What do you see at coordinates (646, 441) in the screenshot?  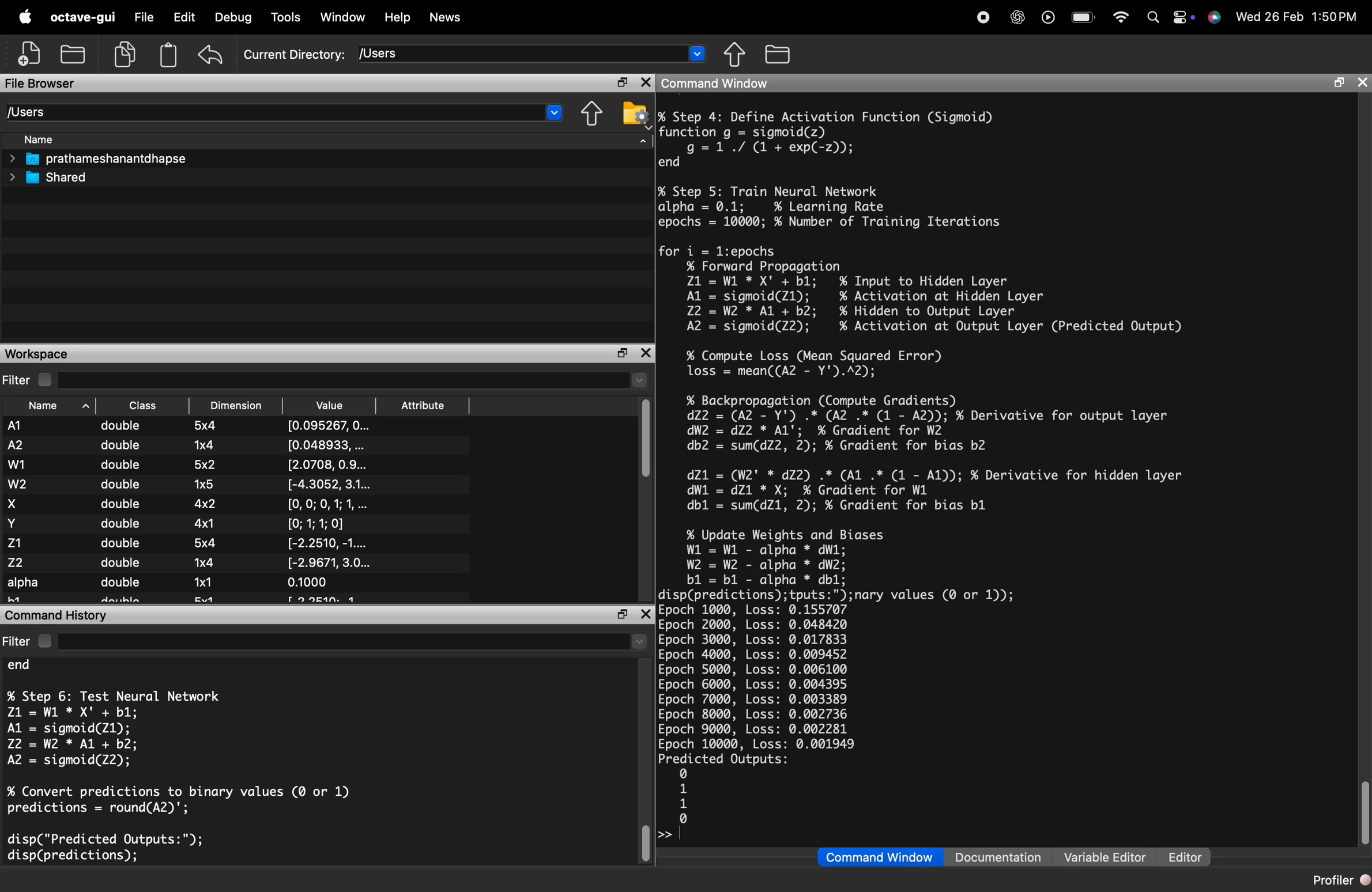 I see `scroll bar` at bounding box center [646, 441].